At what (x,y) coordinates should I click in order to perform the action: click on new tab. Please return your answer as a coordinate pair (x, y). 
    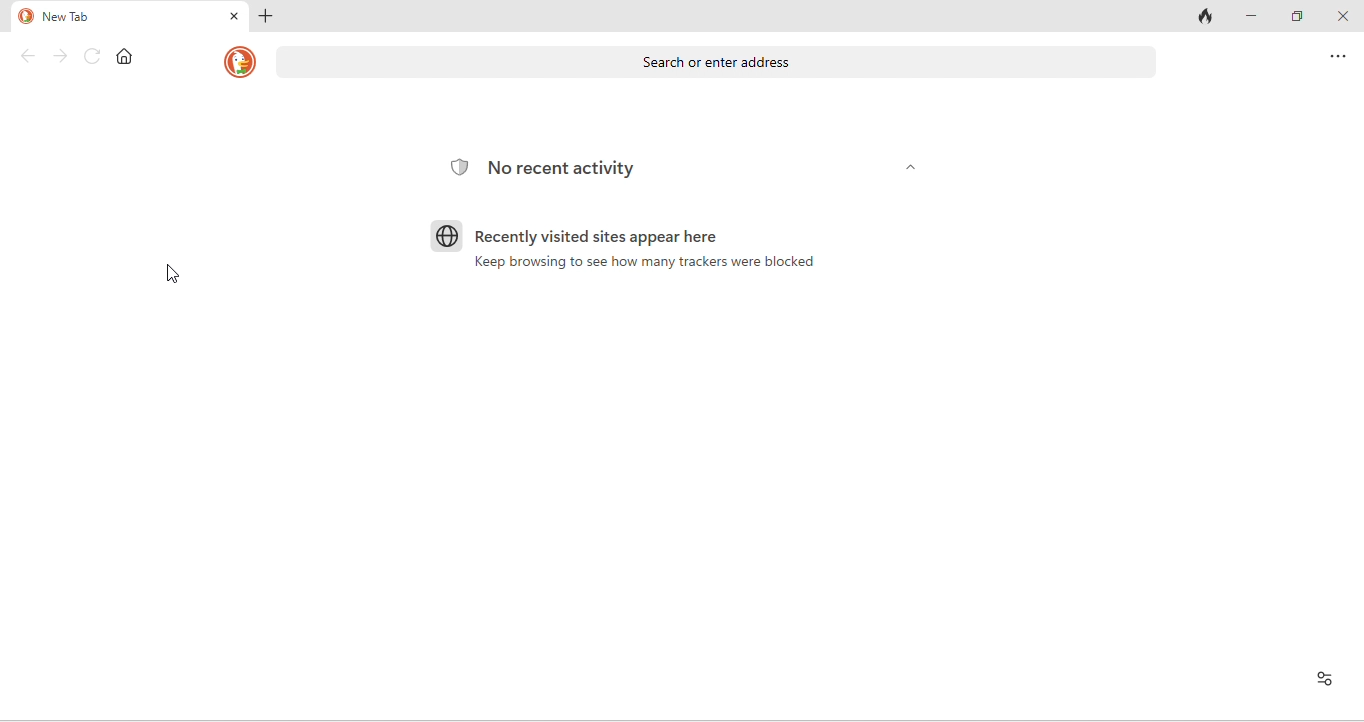
    Looking at the image, I should click on (68, 18).